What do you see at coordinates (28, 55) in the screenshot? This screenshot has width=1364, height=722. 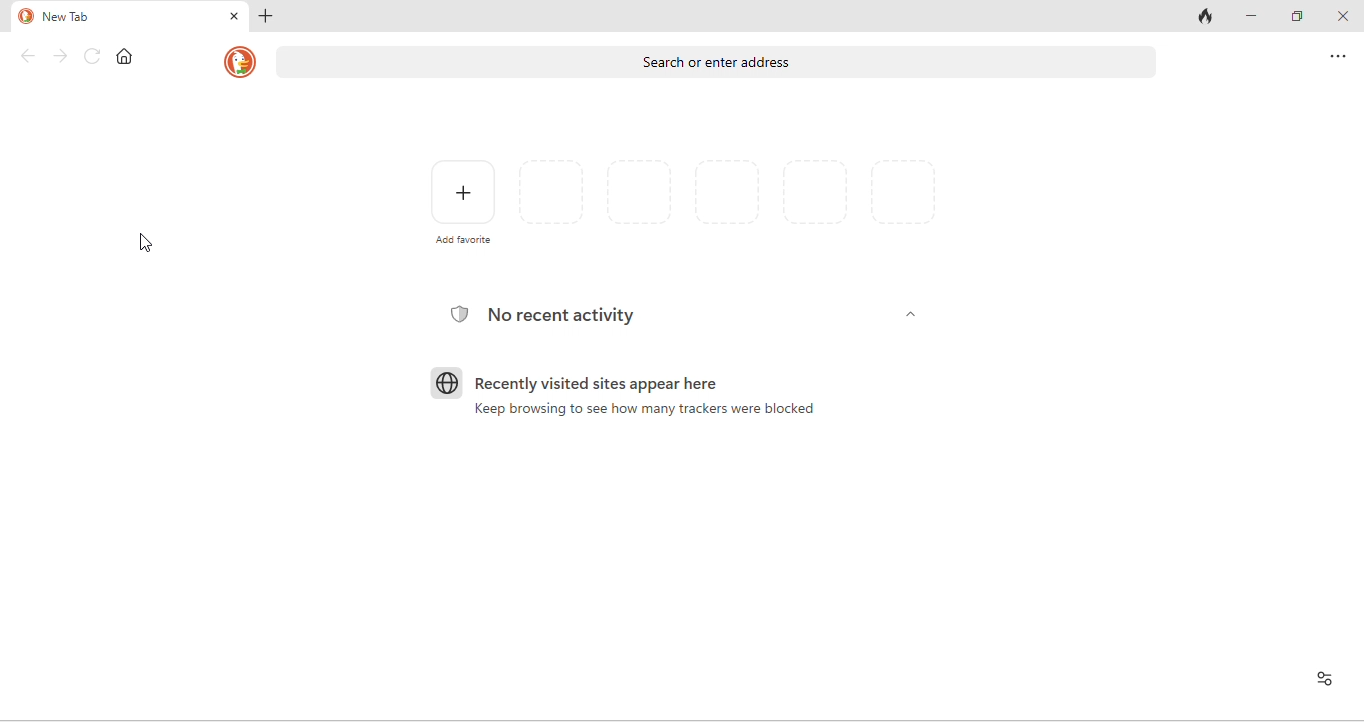 I see `back` at bounding box center [28, 55].